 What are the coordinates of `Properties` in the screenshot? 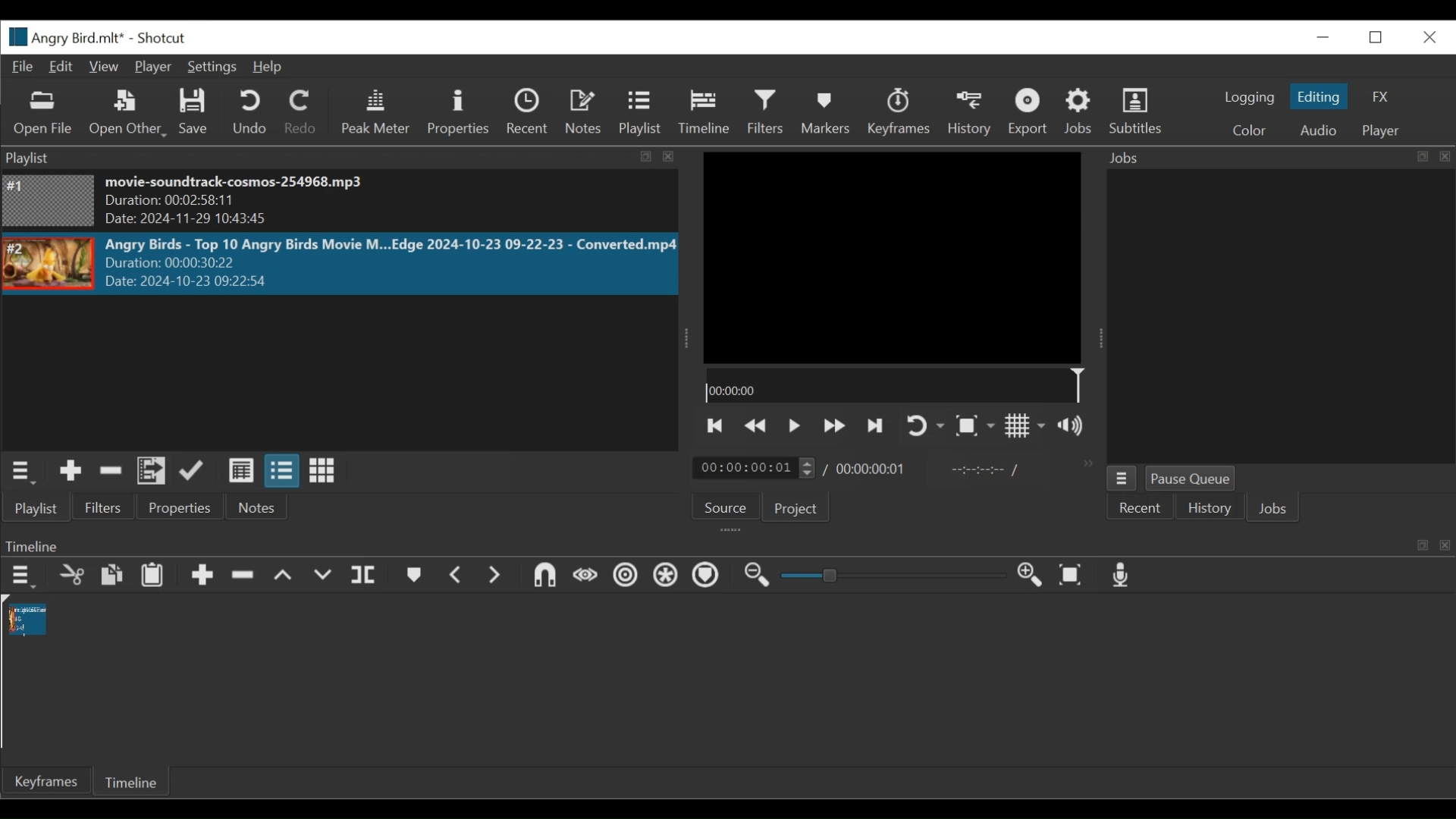 It's located at (183, 508).